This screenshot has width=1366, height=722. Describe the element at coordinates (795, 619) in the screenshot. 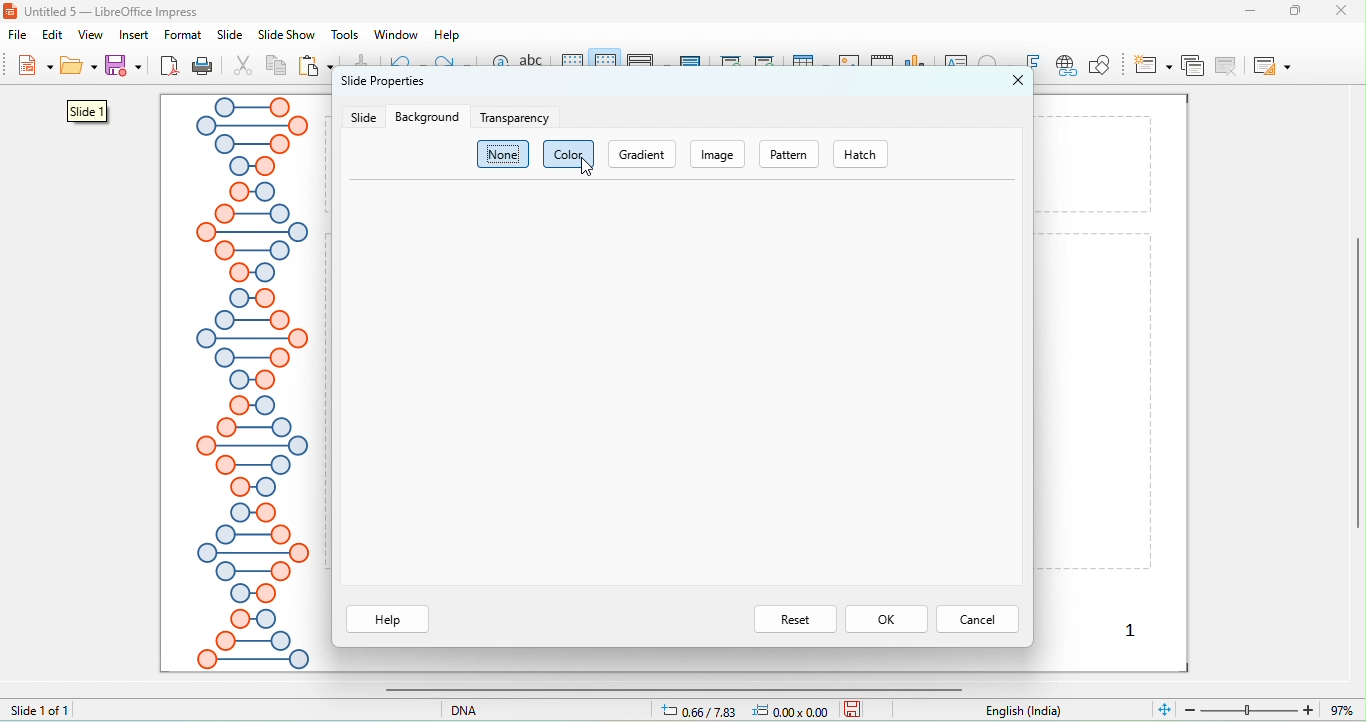

I see `reset` at that location.